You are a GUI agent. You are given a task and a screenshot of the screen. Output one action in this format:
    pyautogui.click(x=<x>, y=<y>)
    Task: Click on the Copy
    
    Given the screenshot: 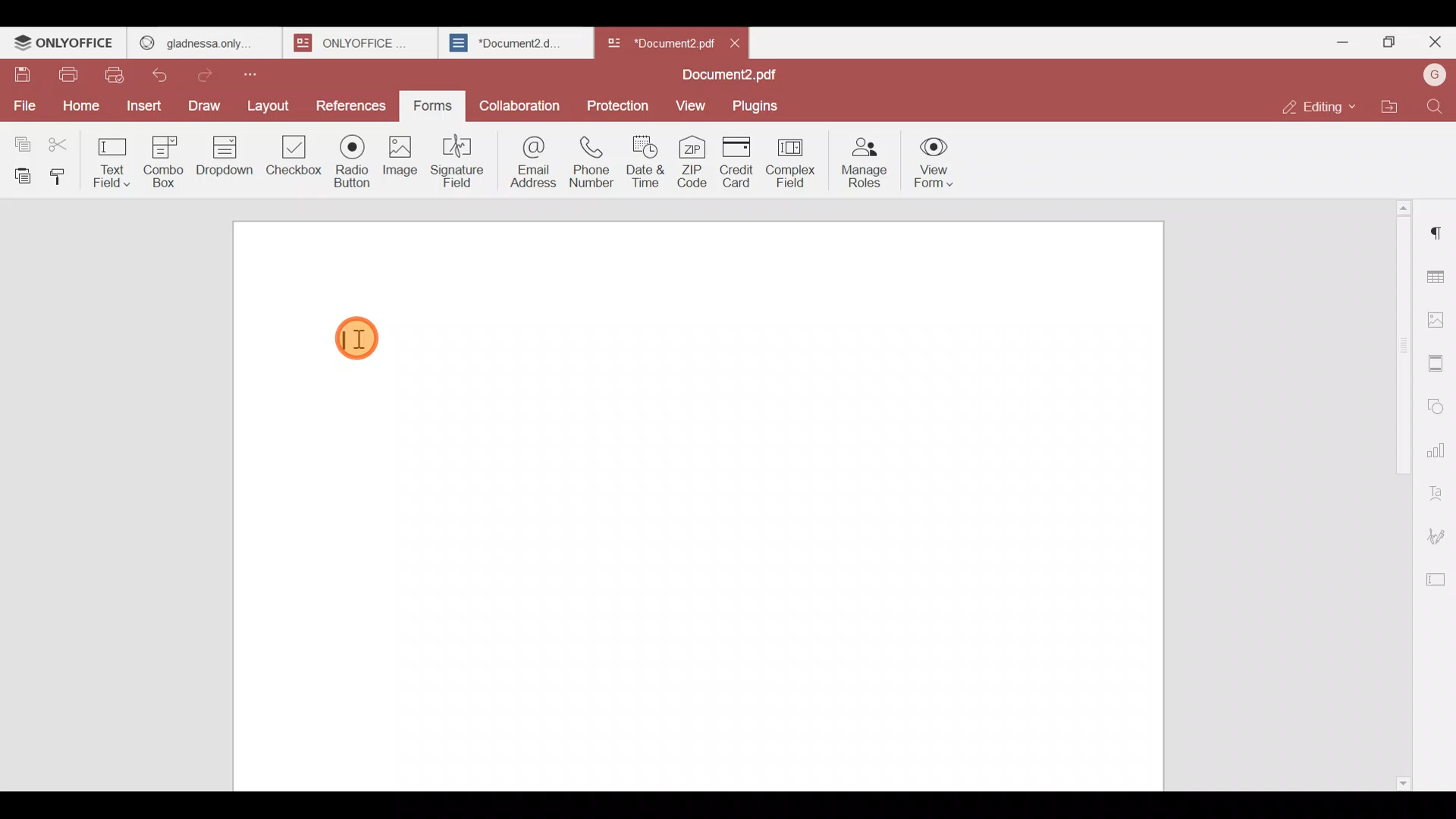 What is the action you would take?
    pyautogui.click(x=22, y=137)
    